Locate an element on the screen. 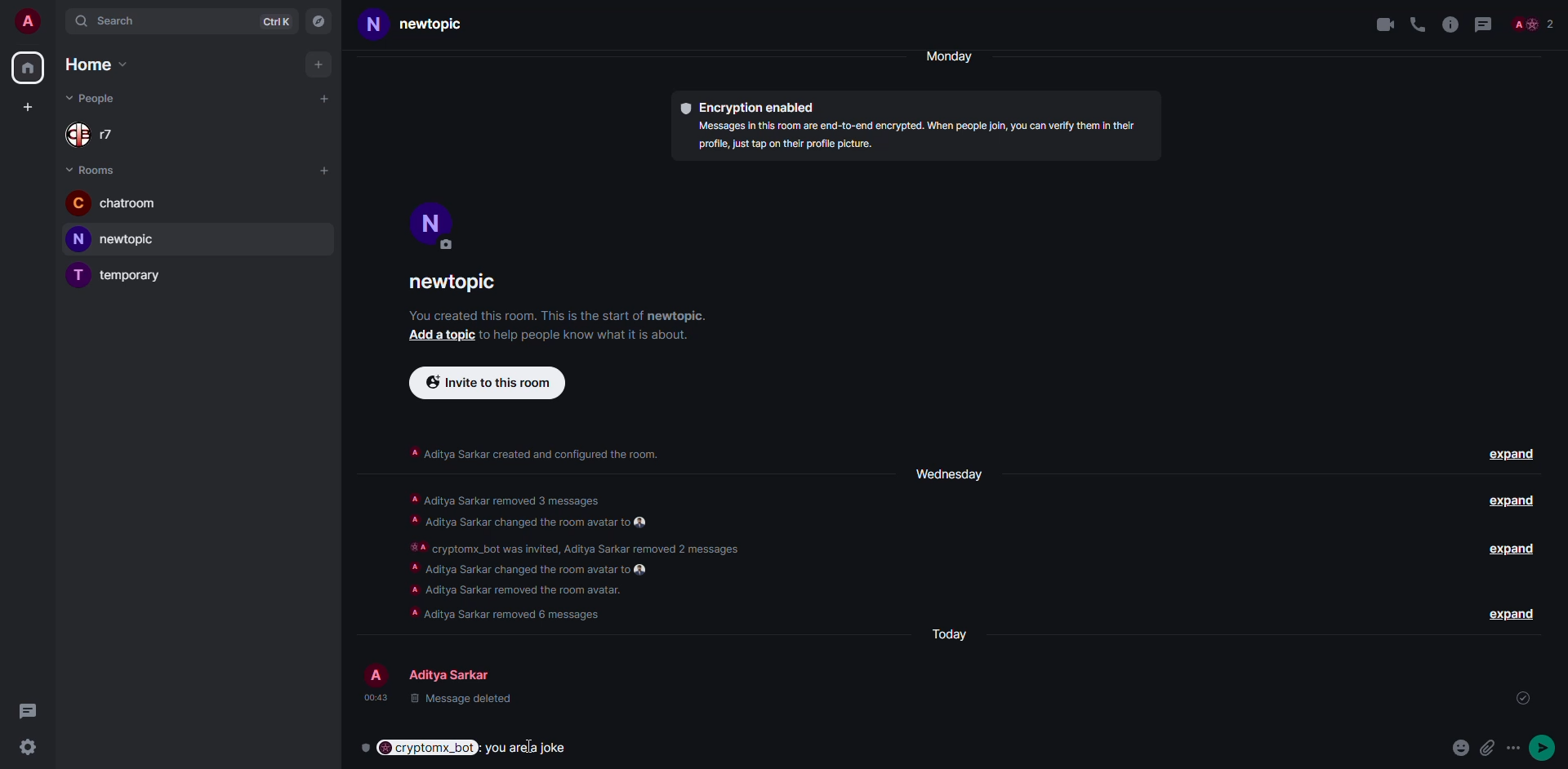  add is located at coordinates (25, 109).